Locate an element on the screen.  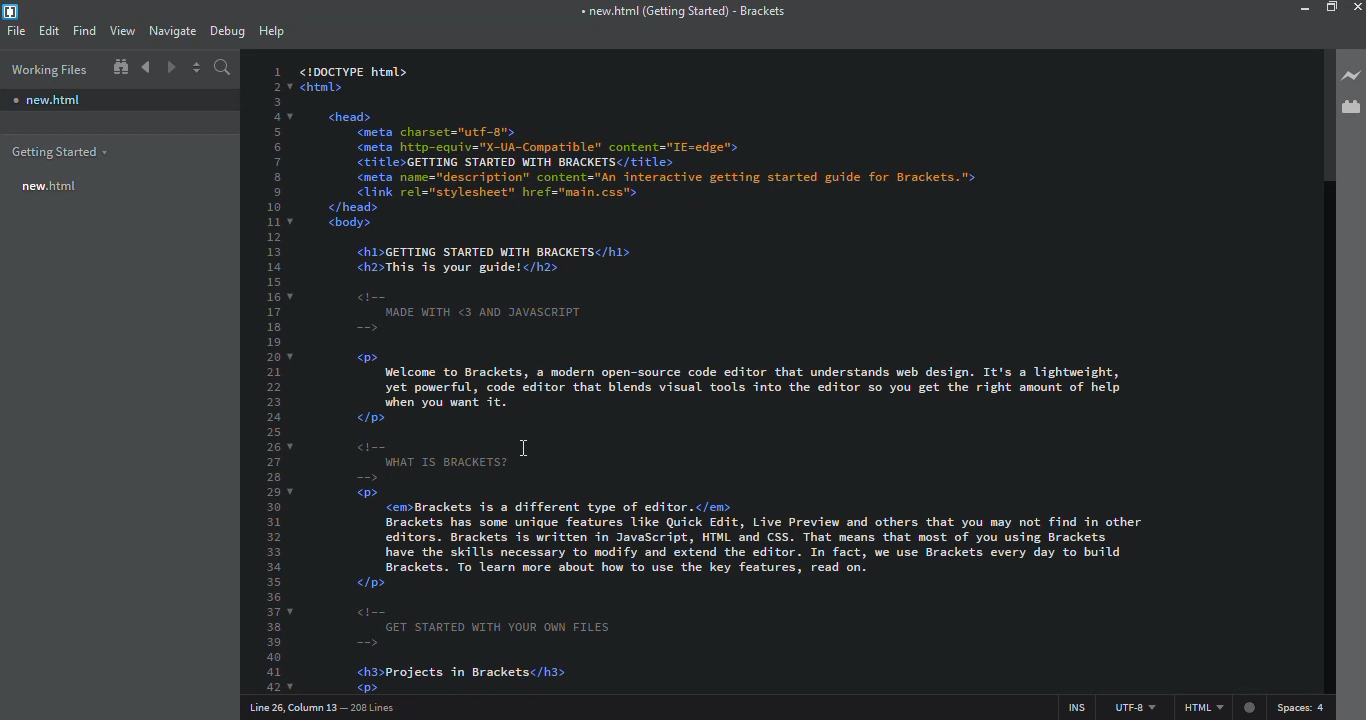
show in file tree is located at coordinates (120, 68).